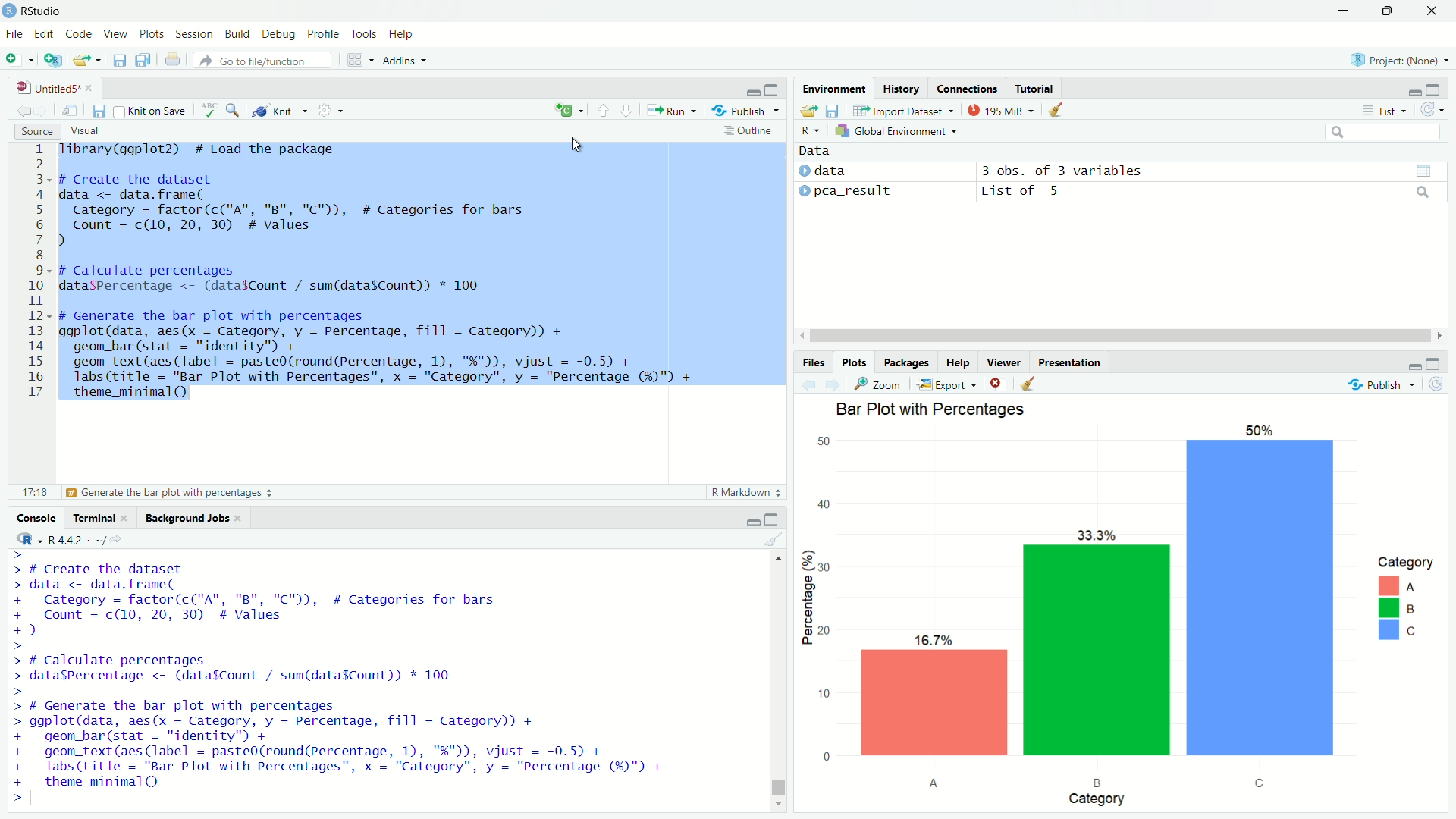  Describe the element at coordinates (46, 35) in the screenshot. I see `Edit` at that location.